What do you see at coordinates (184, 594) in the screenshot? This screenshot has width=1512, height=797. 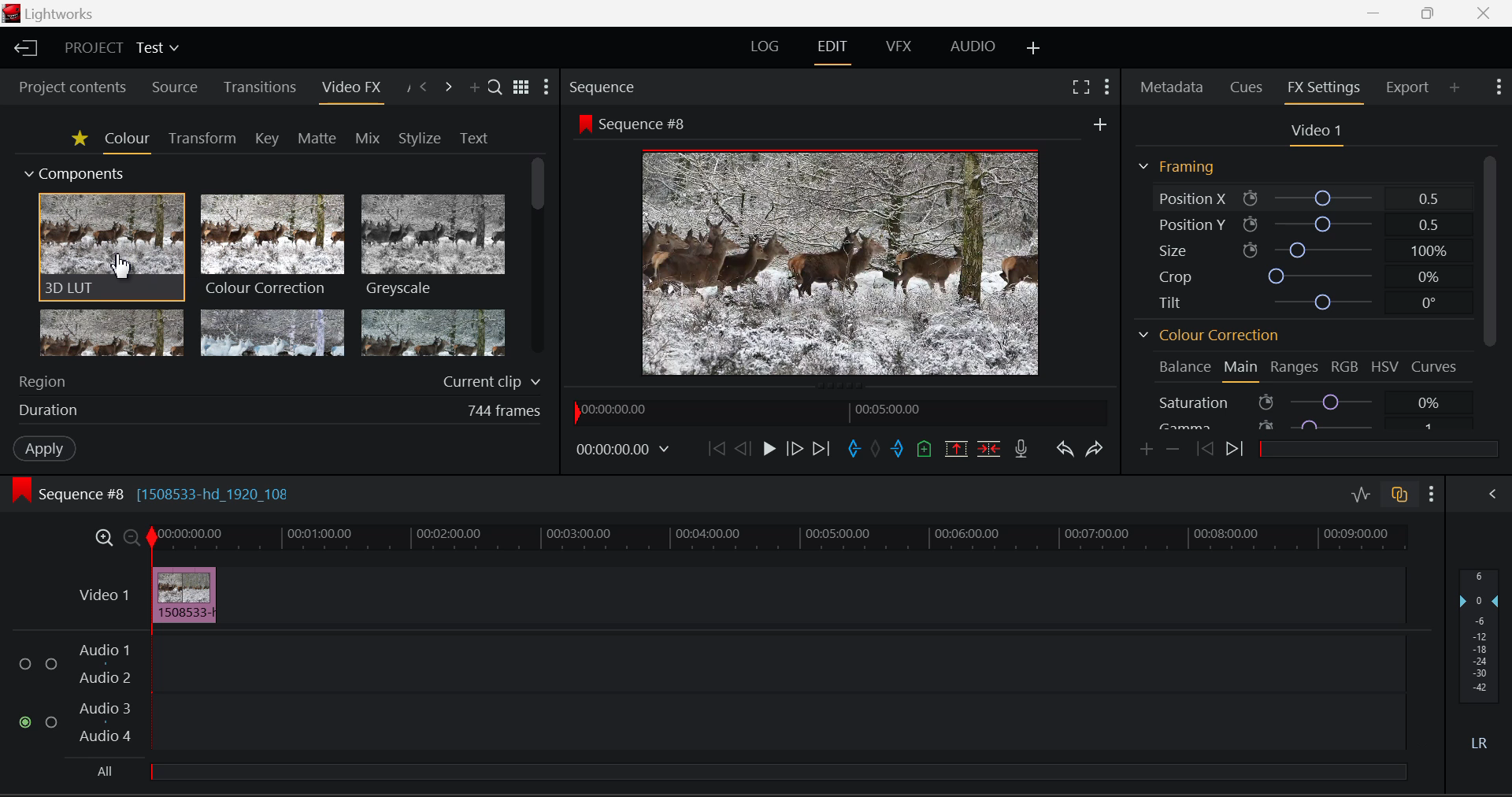 I see `Clip Inserted` at bounding box center [184, 594].